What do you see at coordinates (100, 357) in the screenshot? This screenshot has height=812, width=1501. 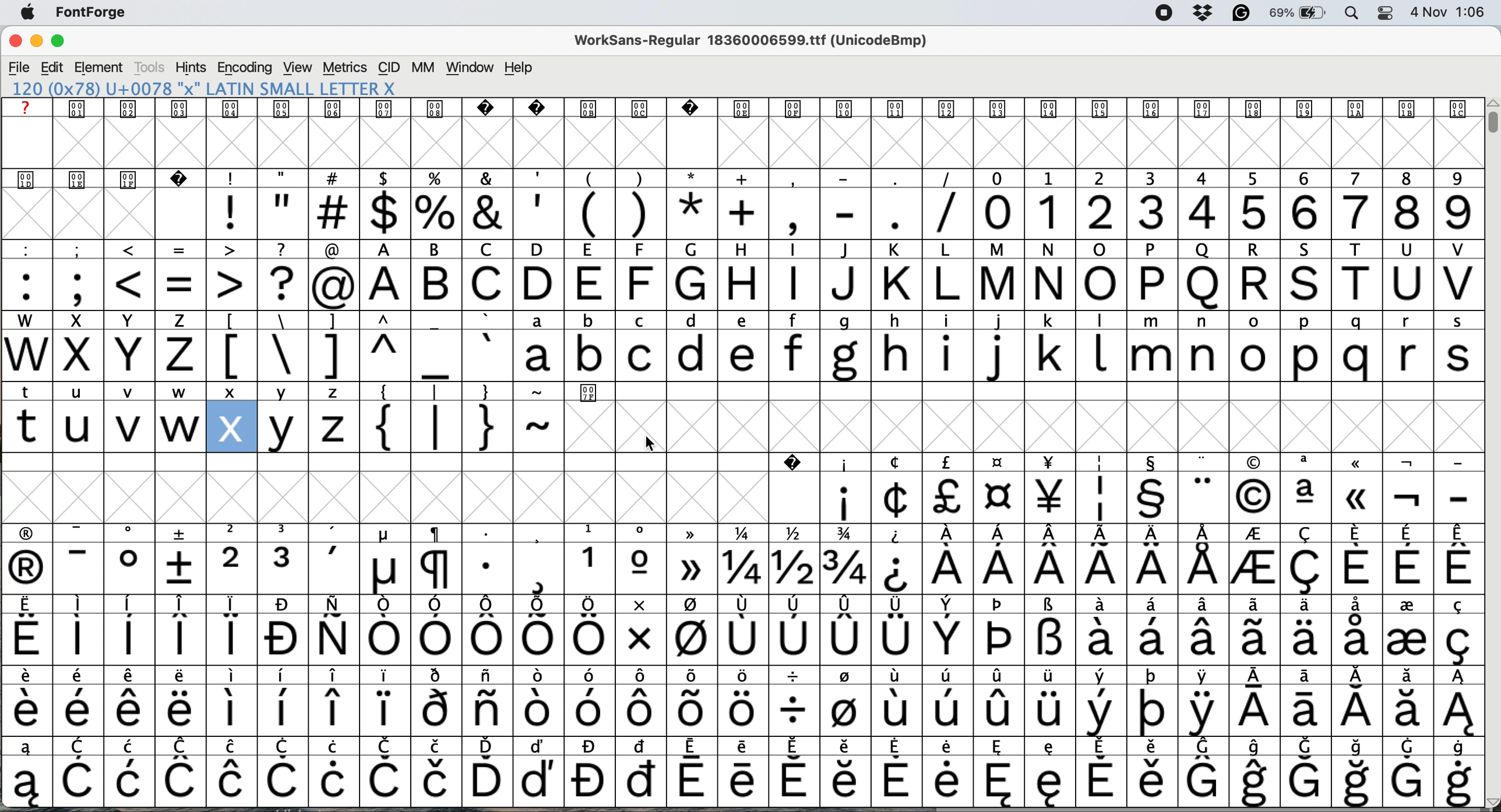 I see `capital letters w to z` at bounding box center [100, 357].